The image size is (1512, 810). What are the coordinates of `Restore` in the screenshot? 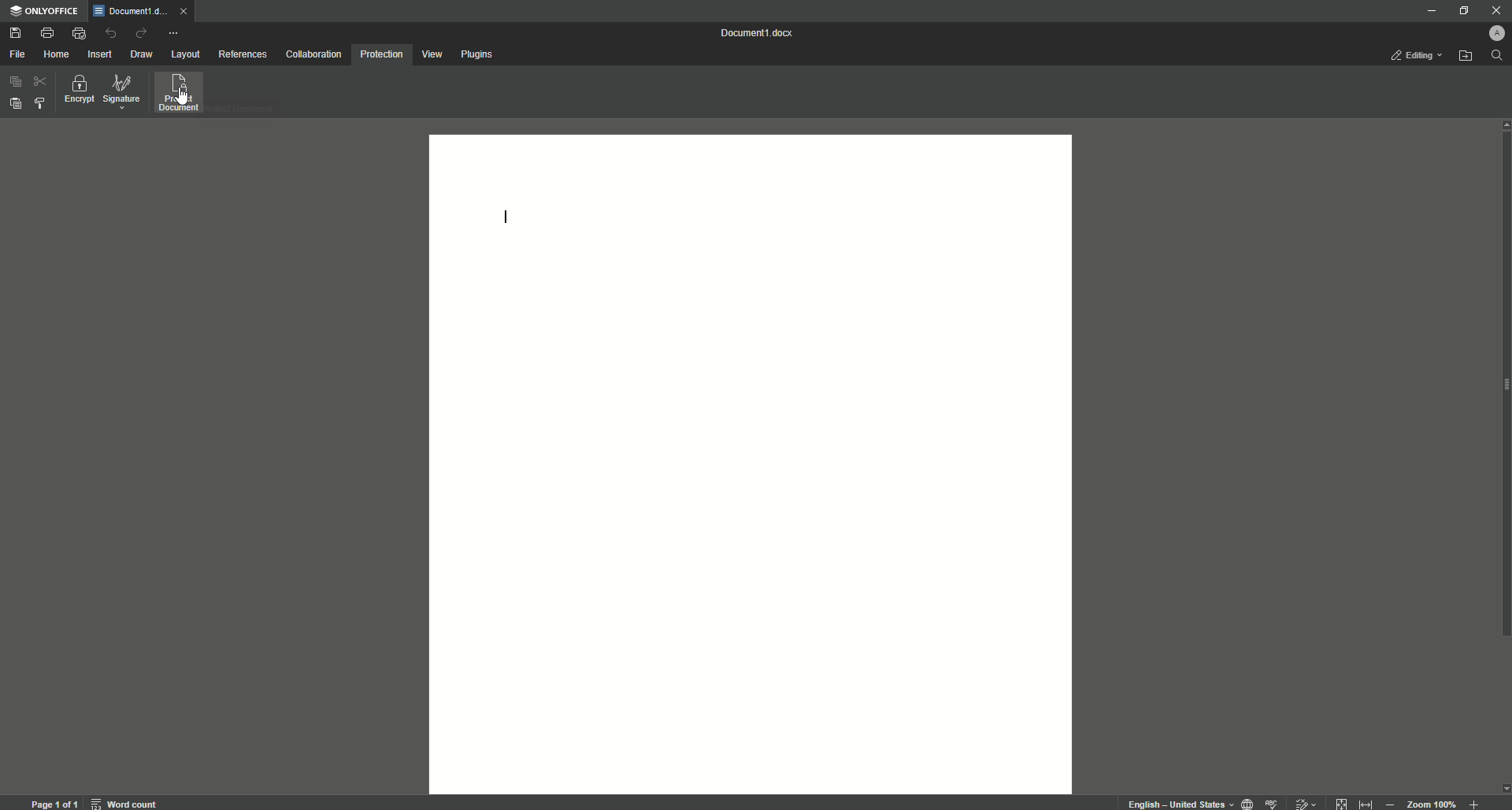 It's located at (1461, 10).